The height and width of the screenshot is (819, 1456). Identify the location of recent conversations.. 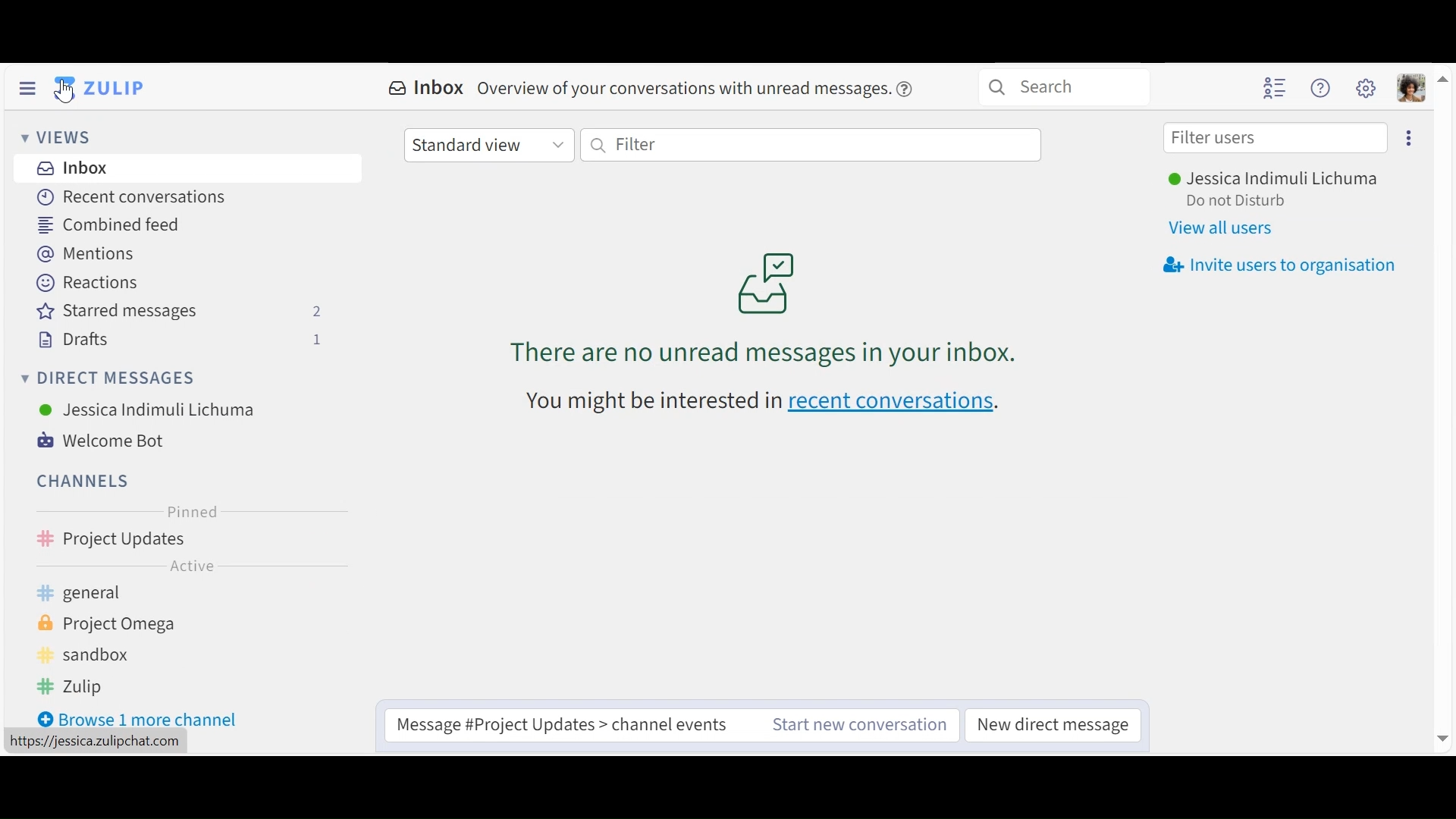
(901, 404).